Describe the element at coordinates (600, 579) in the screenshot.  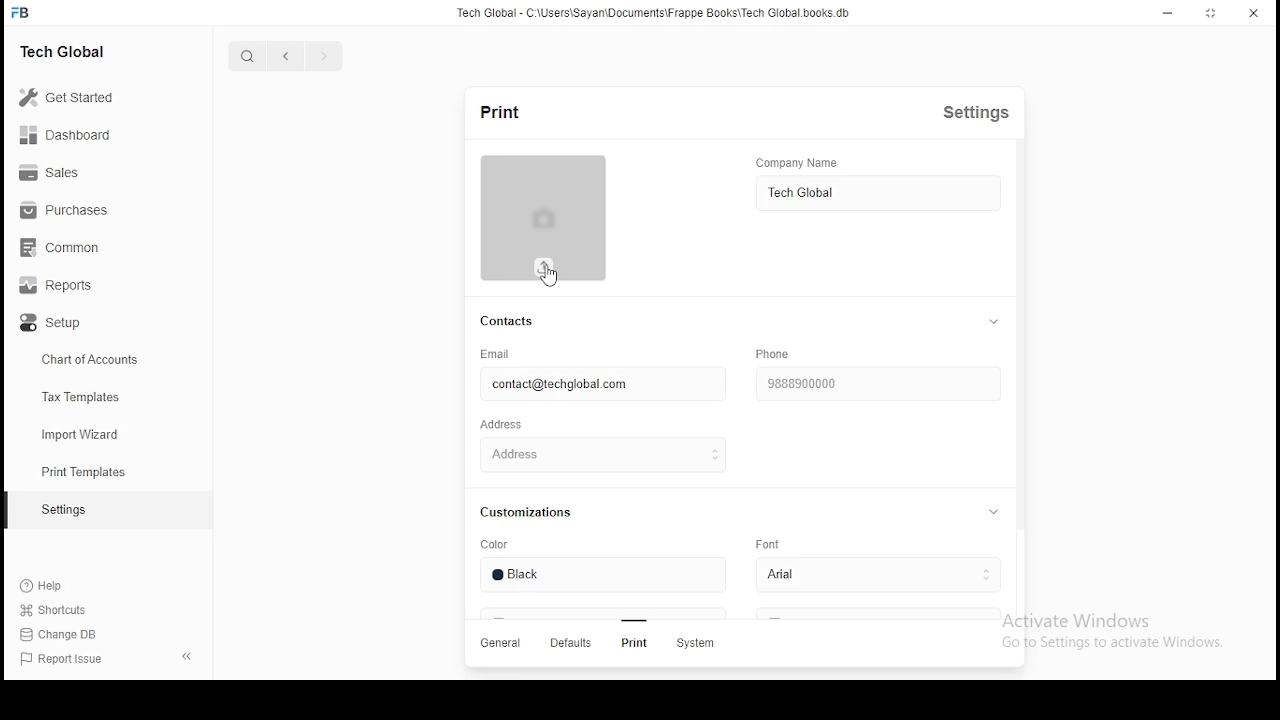
I see `color input` at that location.